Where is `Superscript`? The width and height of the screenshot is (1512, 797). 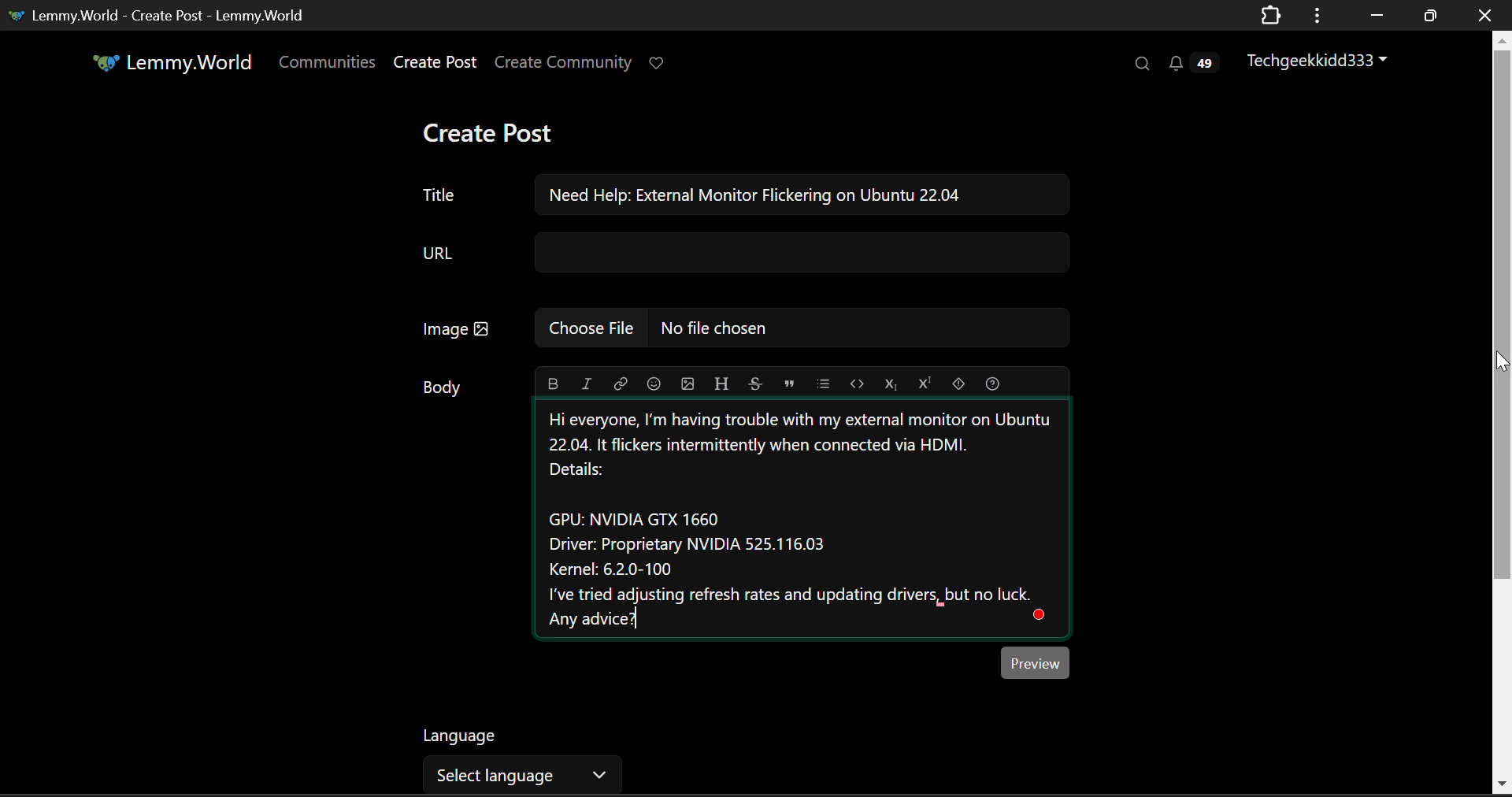
Superscript is located at coordinates (925, 385).